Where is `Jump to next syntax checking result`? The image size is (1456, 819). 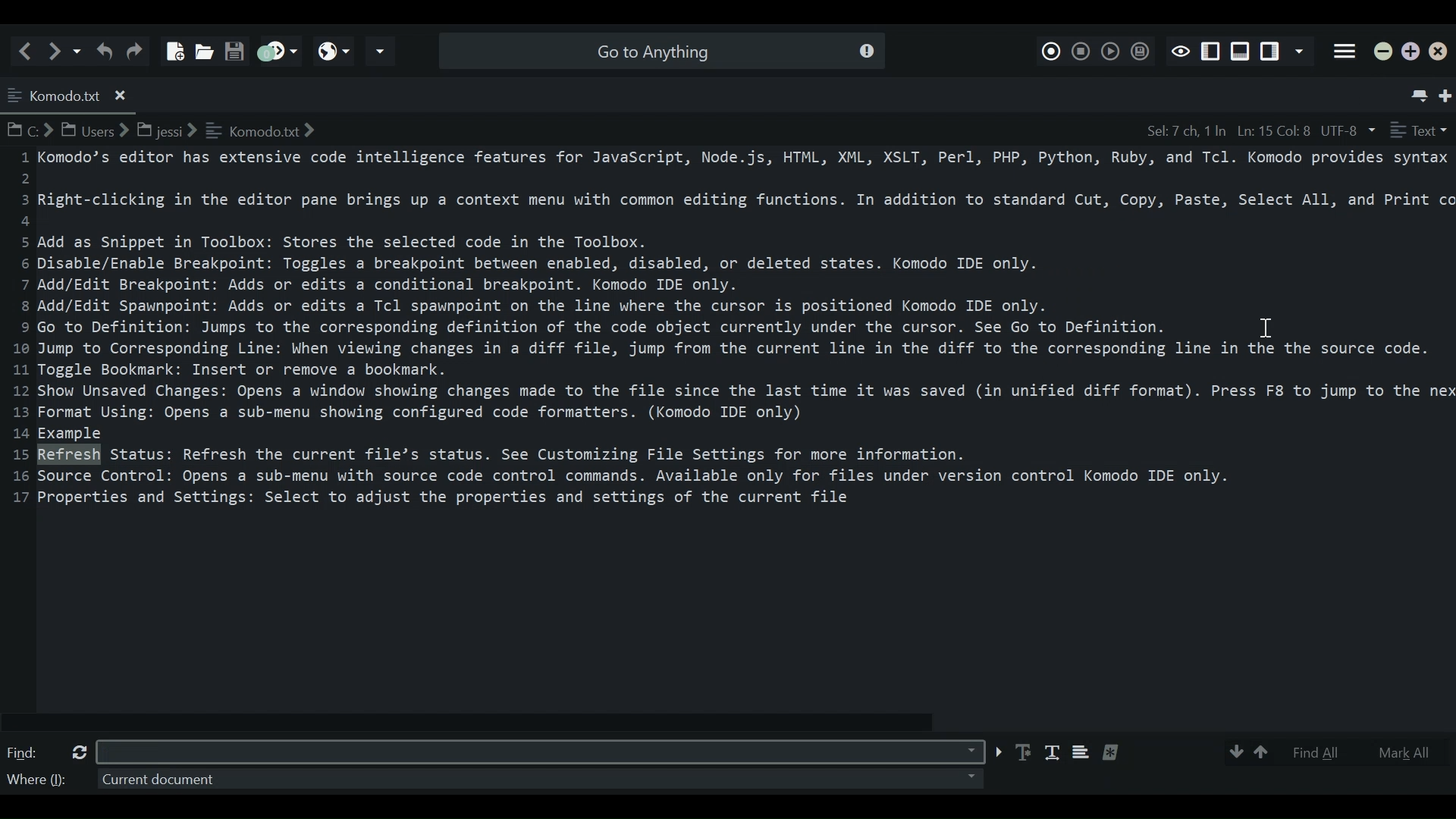 Jump to next syntax checking result is located at coordinates (276, 51).